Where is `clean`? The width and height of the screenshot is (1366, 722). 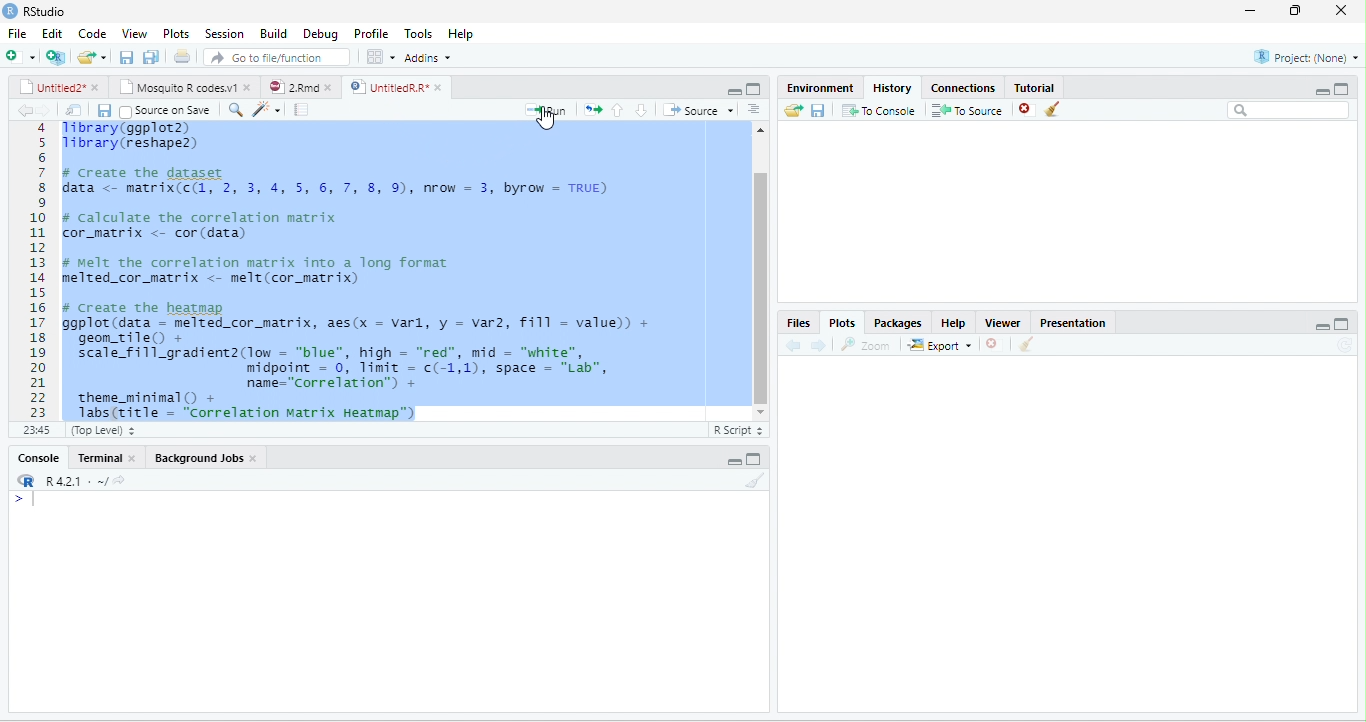 clean is located at coordinates (1066, 111).